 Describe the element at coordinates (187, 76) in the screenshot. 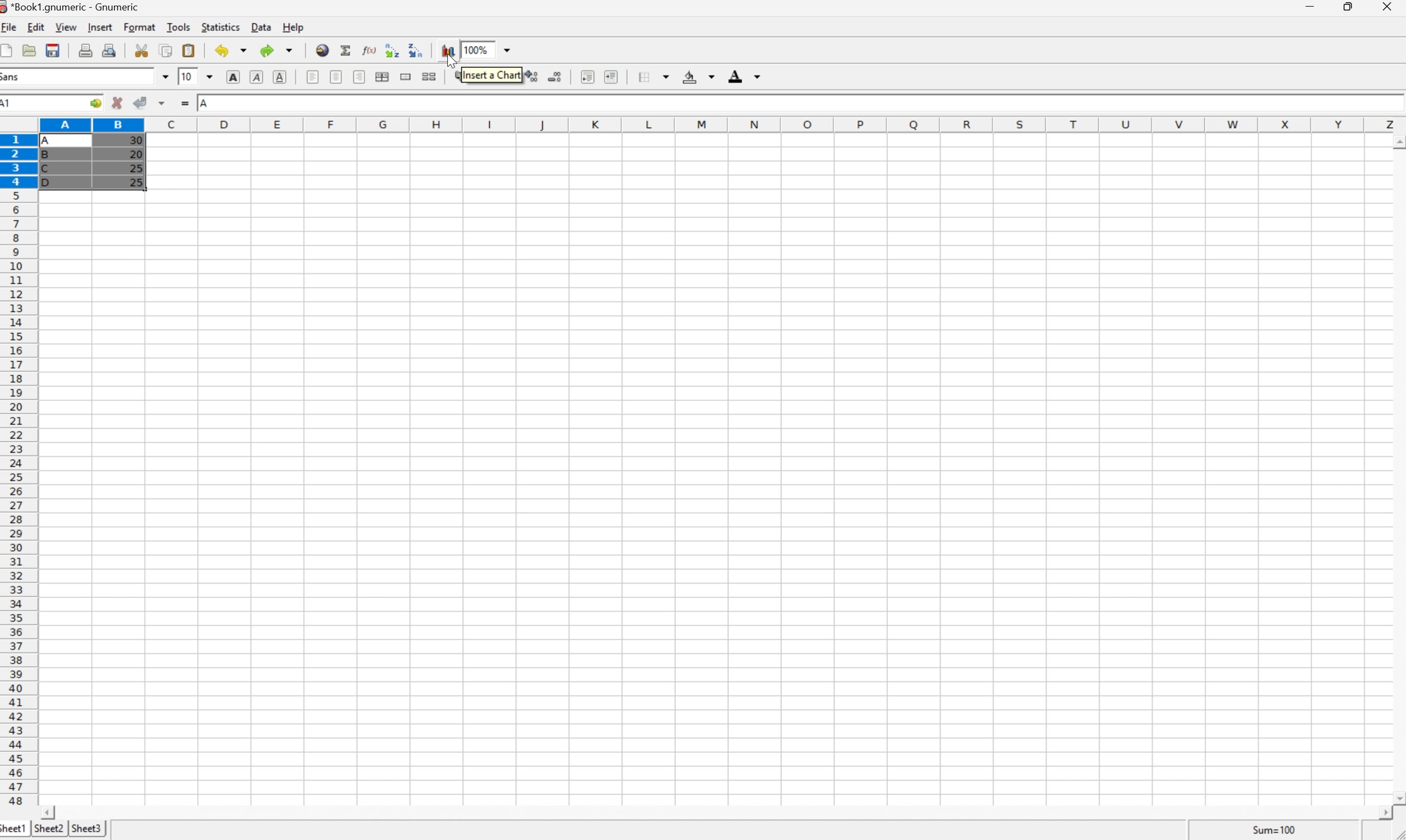

I see `10` at that location.